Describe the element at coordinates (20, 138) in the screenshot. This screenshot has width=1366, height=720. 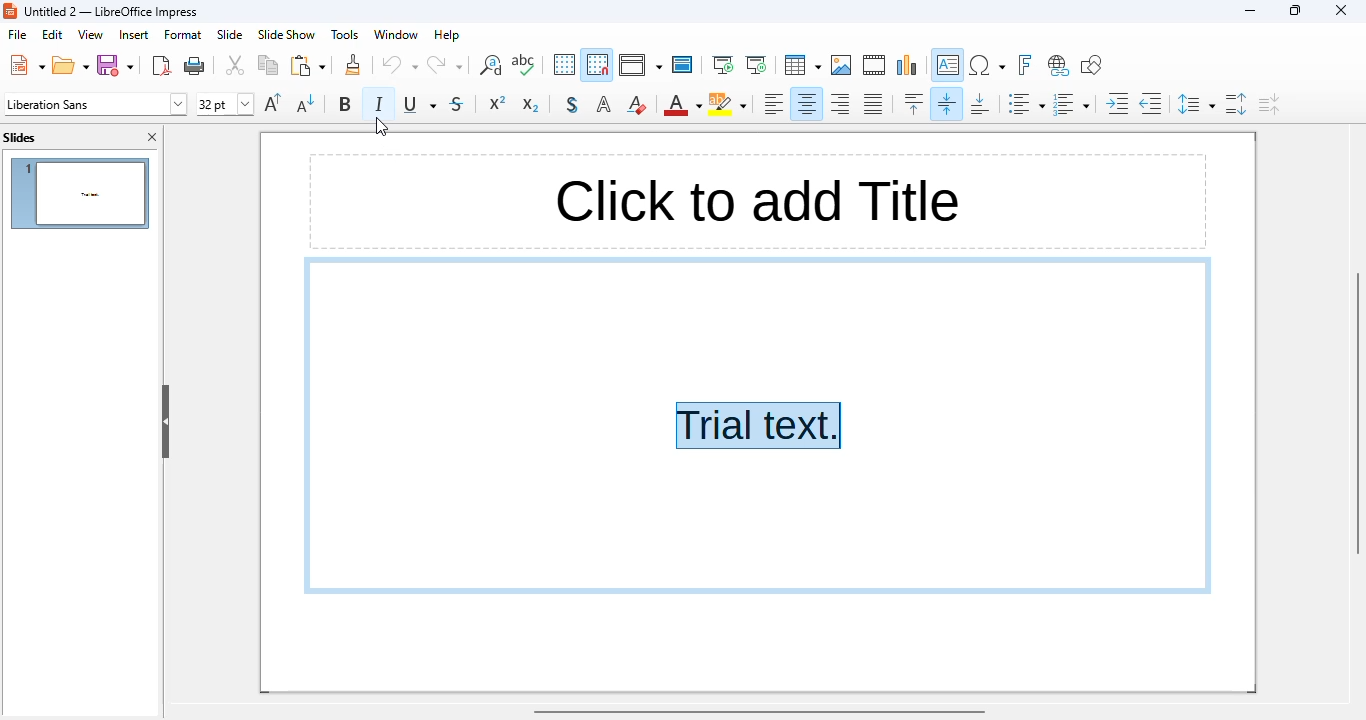
I see `slides` at that location.